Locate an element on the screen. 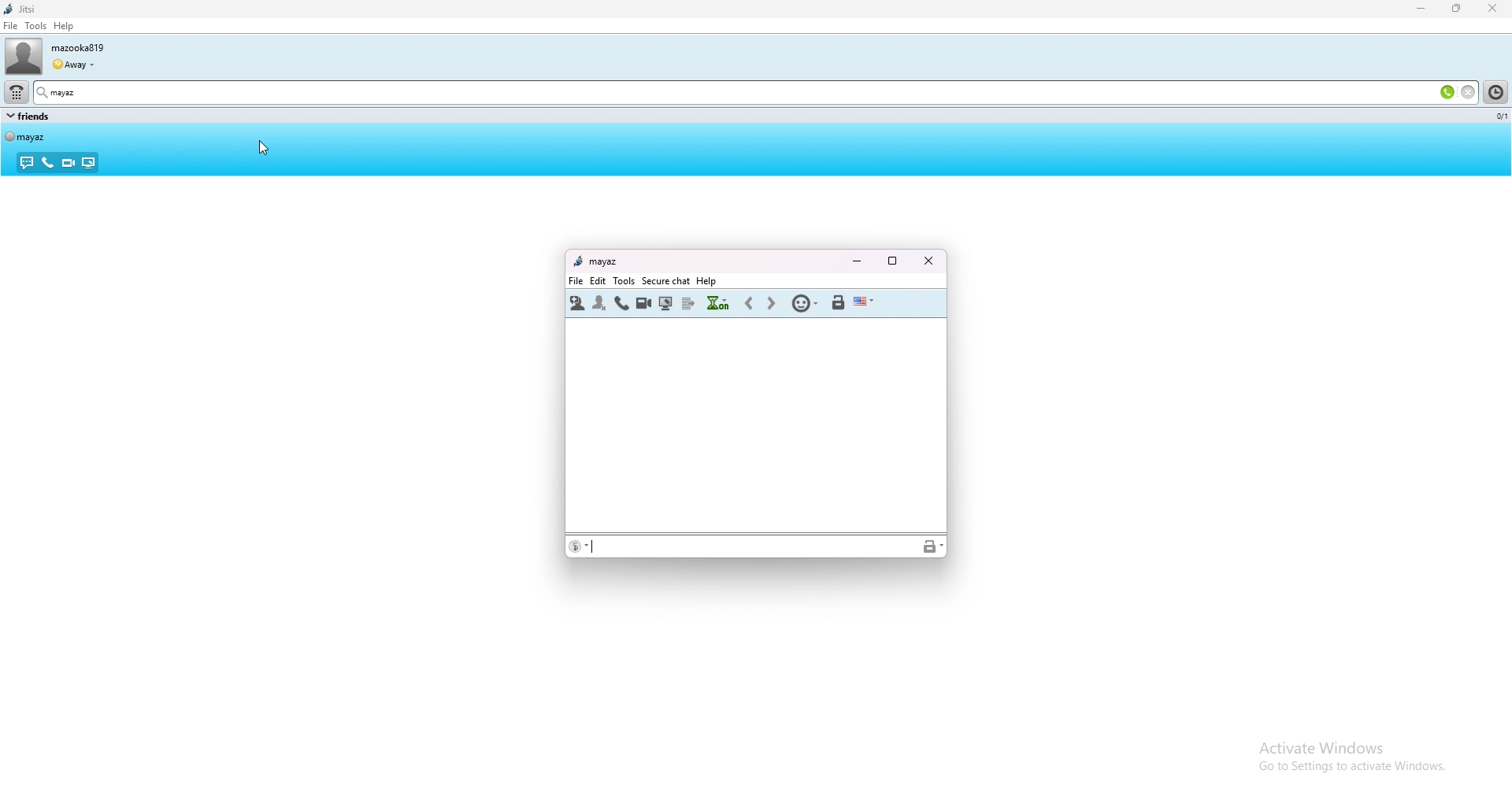 The image size is (1512, 811). previous is located at coordinates (750, 304).